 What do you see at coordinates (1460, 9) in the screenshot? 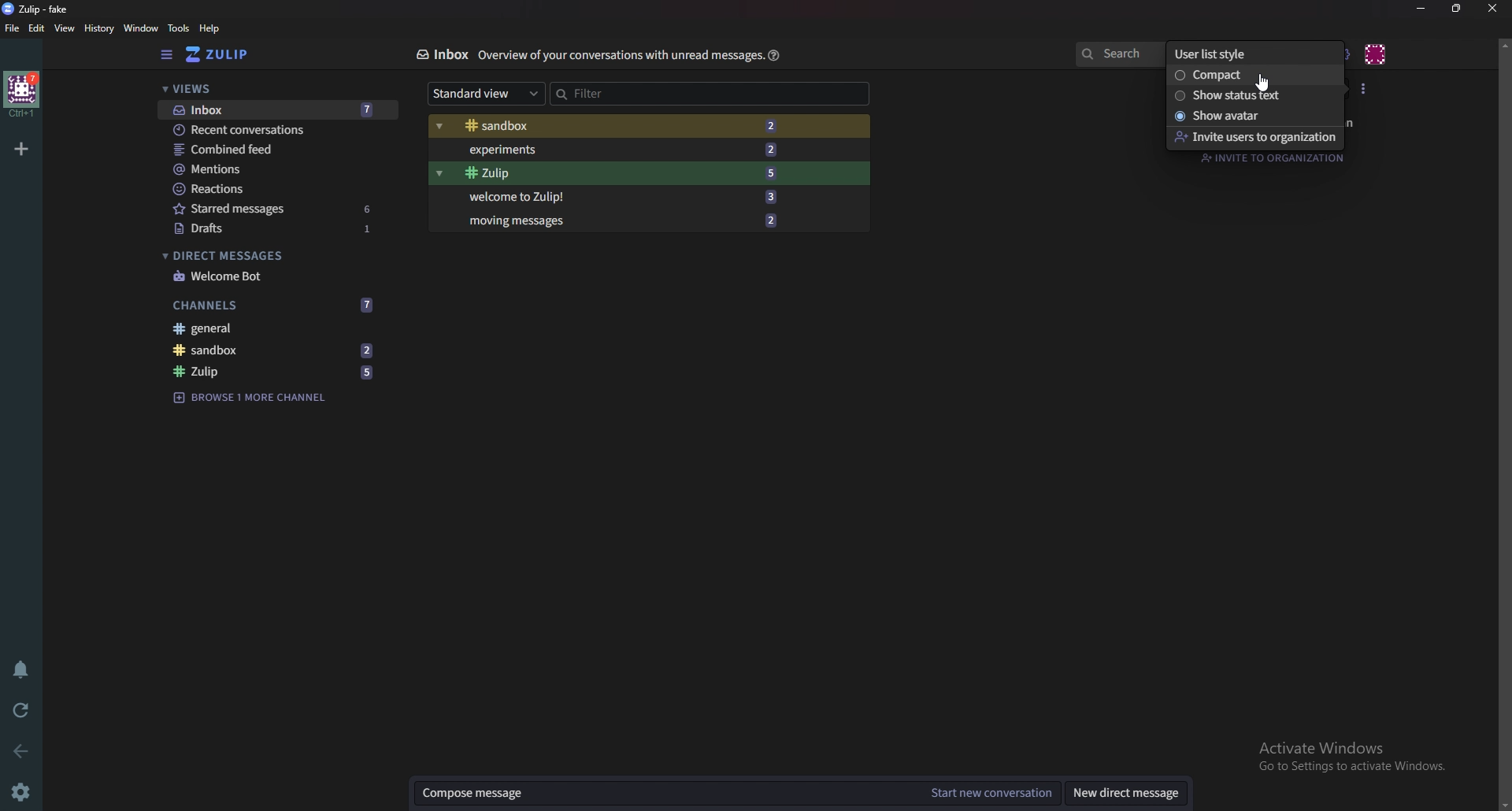
I see `Resize` at bounding box center [1460, 9].